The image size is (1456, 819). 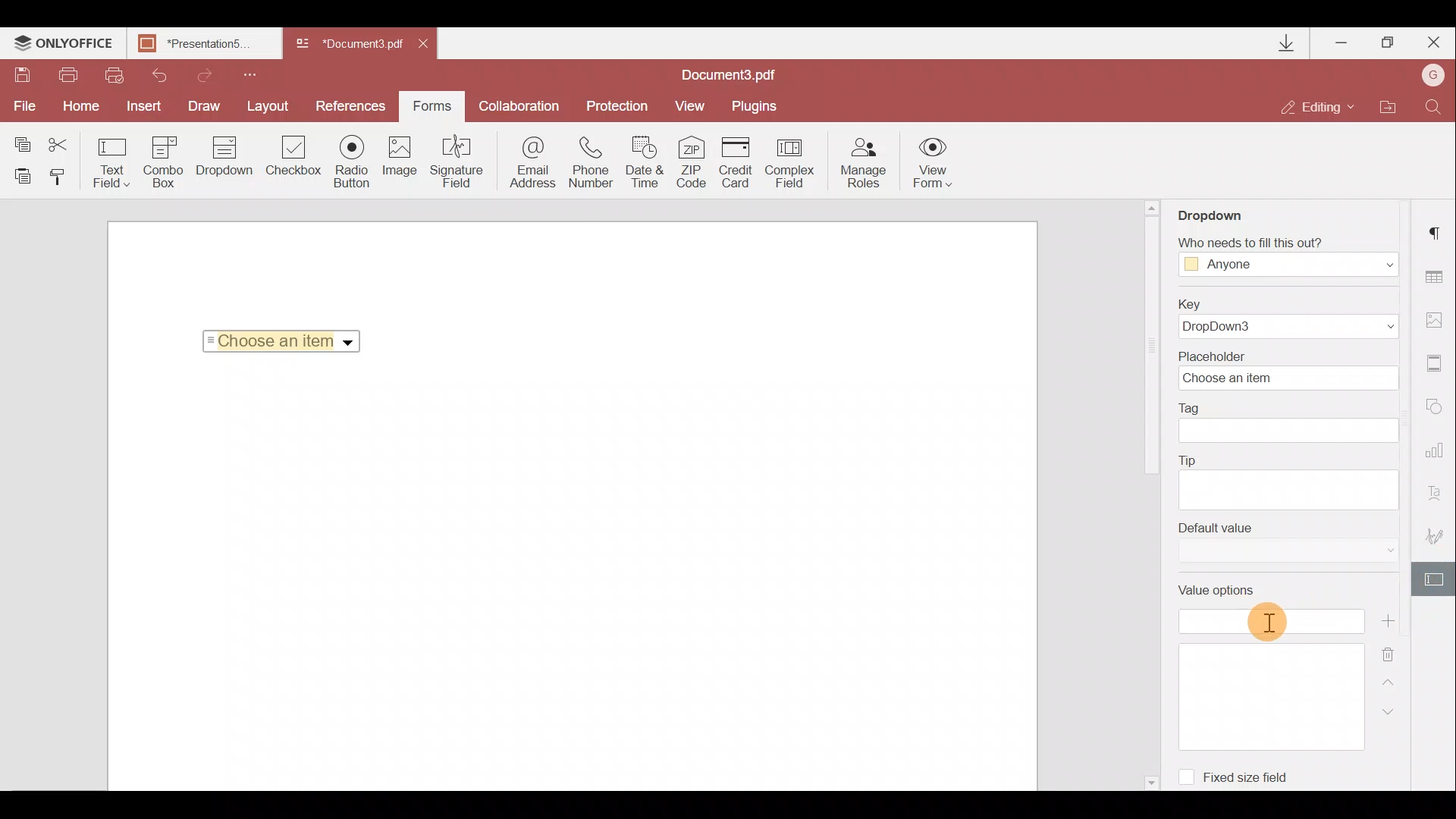 I want to click on Document name, so click(x=347, y=45).